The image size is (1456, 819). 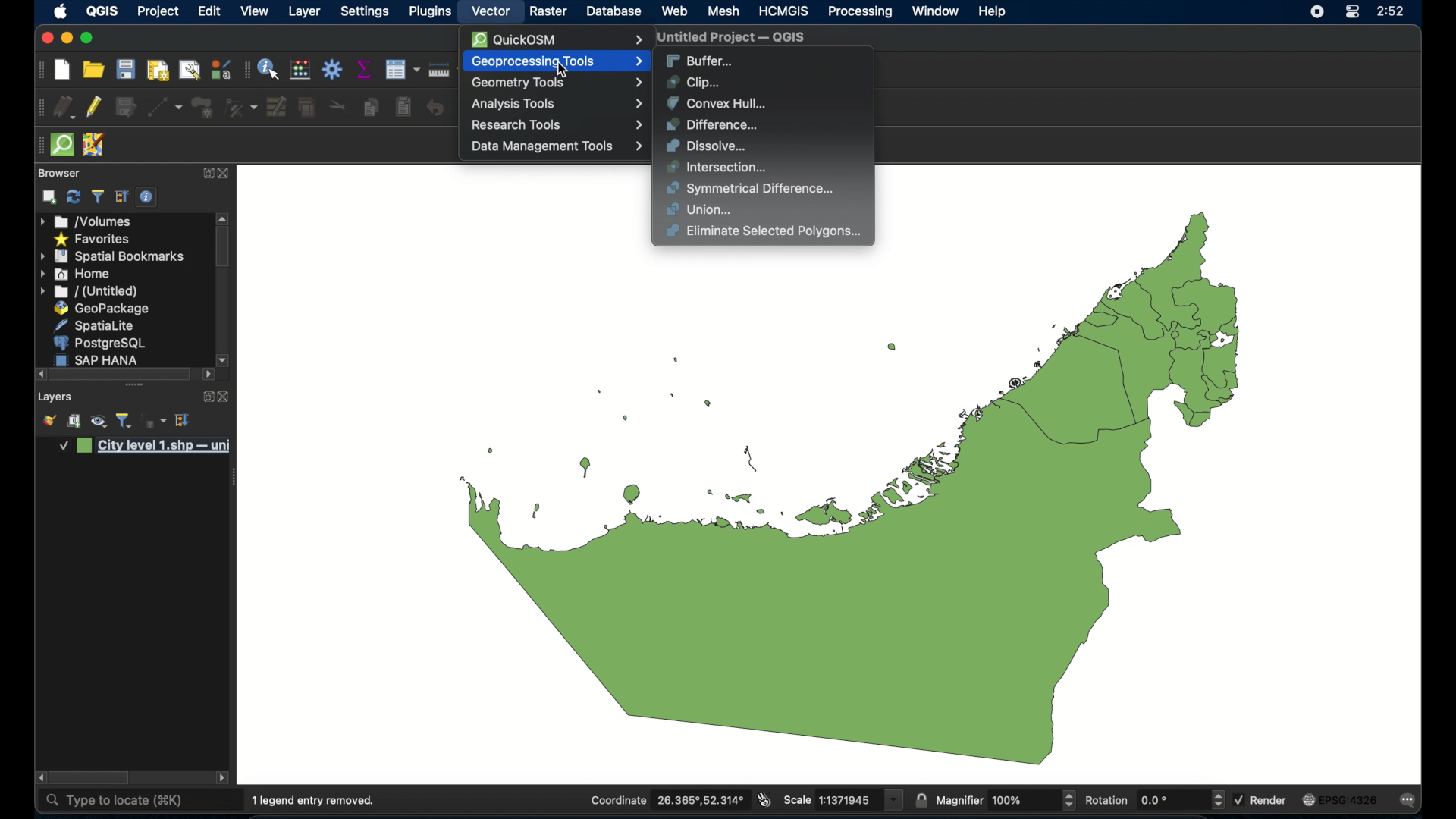 I want to click on print layout, so click(x=156, y=71).